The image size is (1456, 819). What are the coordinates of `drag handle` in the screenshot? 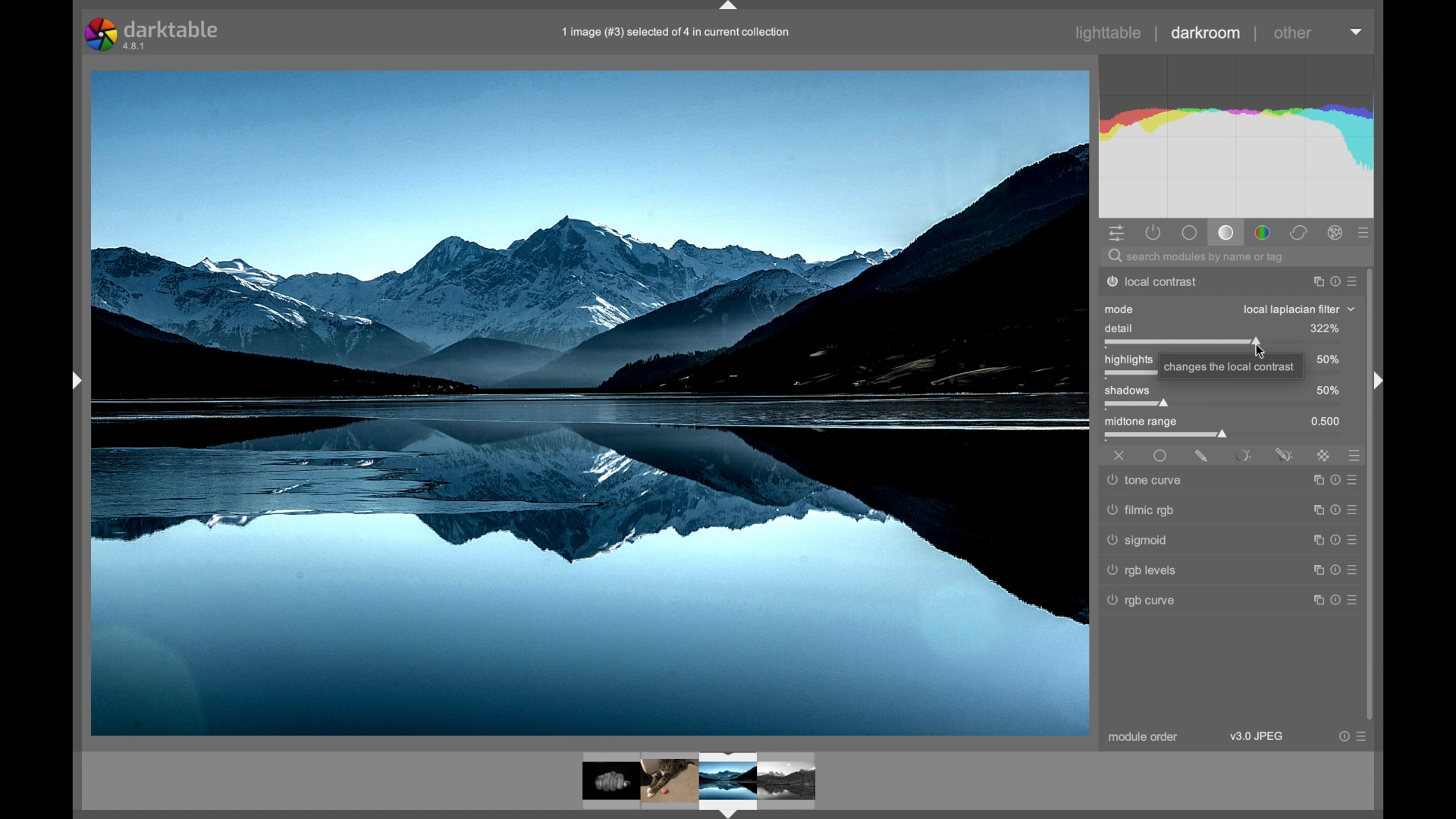 It's located at (1382, 383).